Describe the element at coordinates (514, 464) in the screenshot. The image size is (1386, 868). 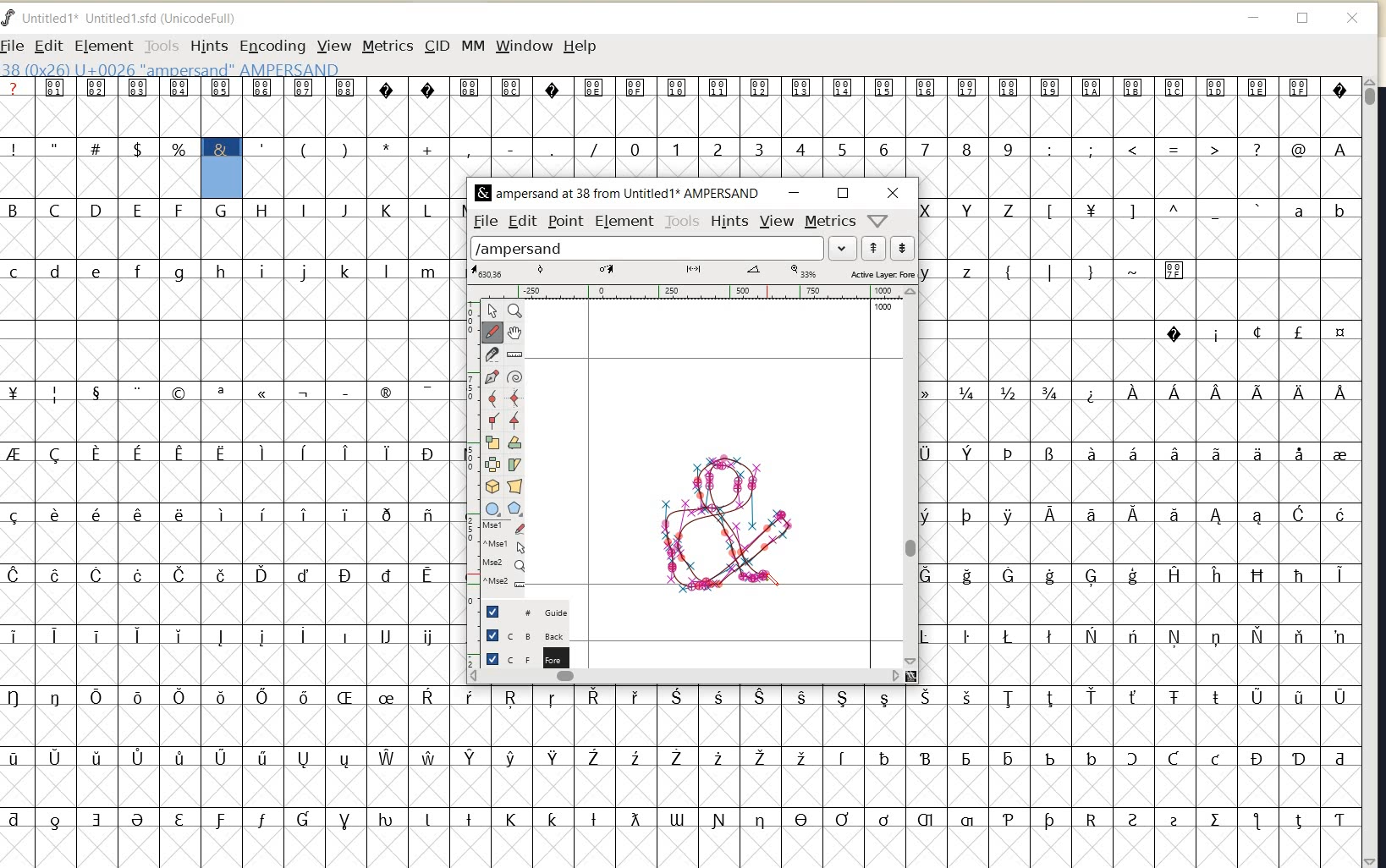
I see `skew the selection` at that location.